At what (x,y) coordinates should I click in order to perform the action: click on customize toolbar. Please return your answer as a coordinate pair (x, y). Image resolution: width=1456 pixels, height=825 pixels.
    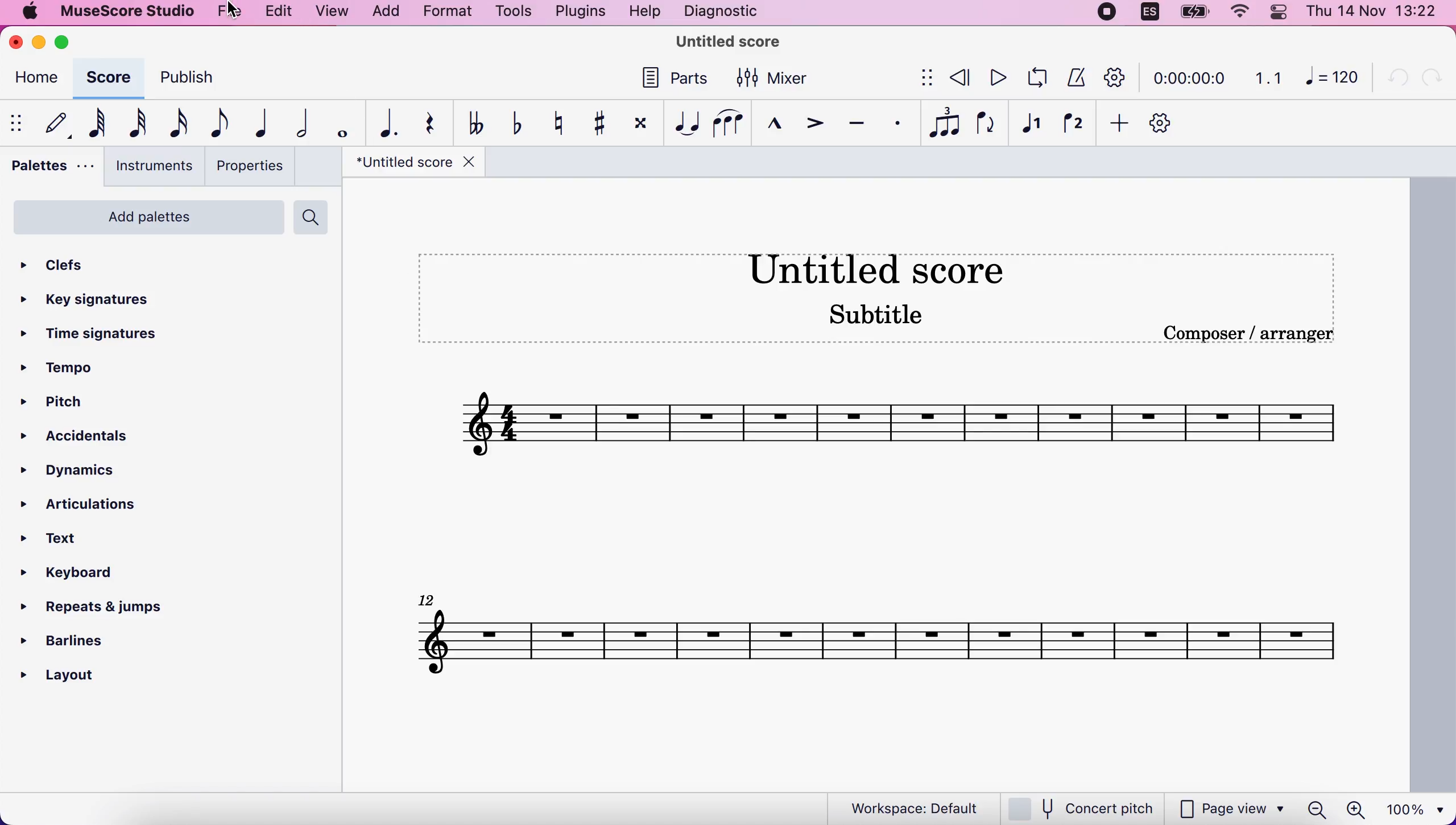
    Looking at the image, I should click on (1165, 122).